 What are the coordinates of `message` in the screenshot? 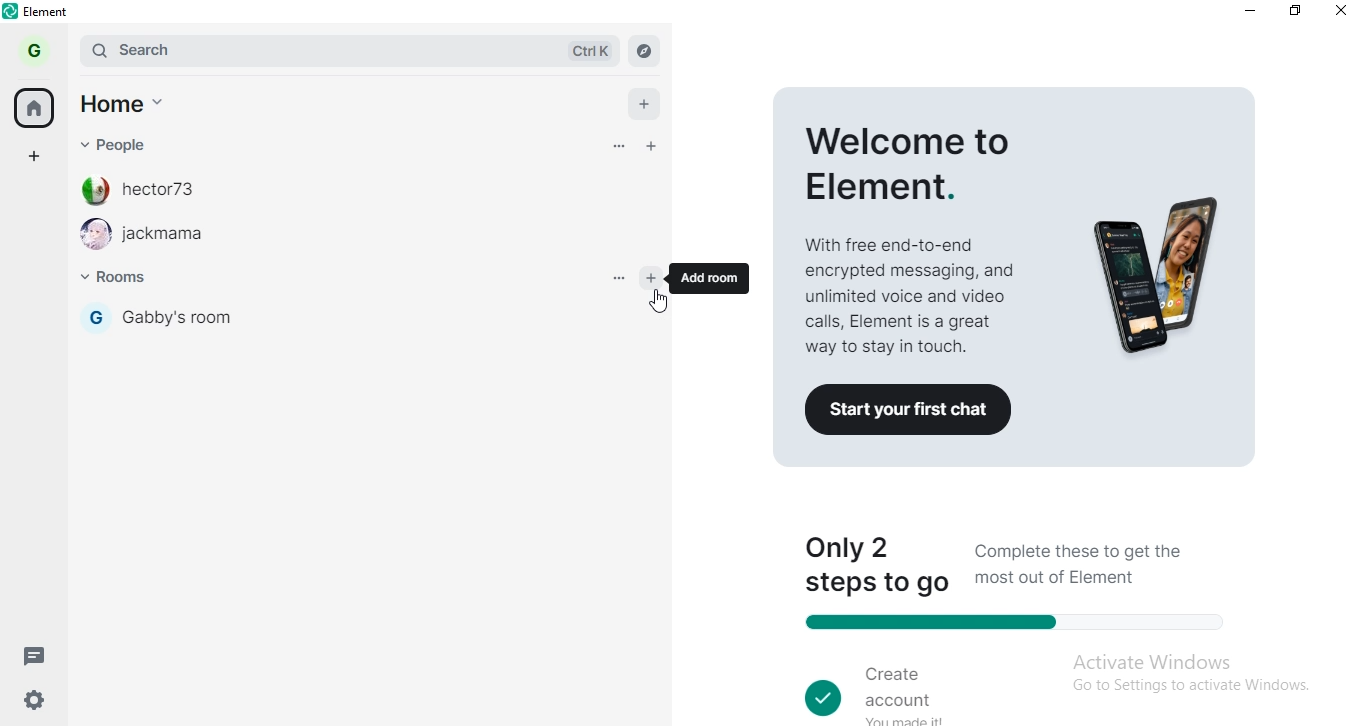 It's located at (41, 658).